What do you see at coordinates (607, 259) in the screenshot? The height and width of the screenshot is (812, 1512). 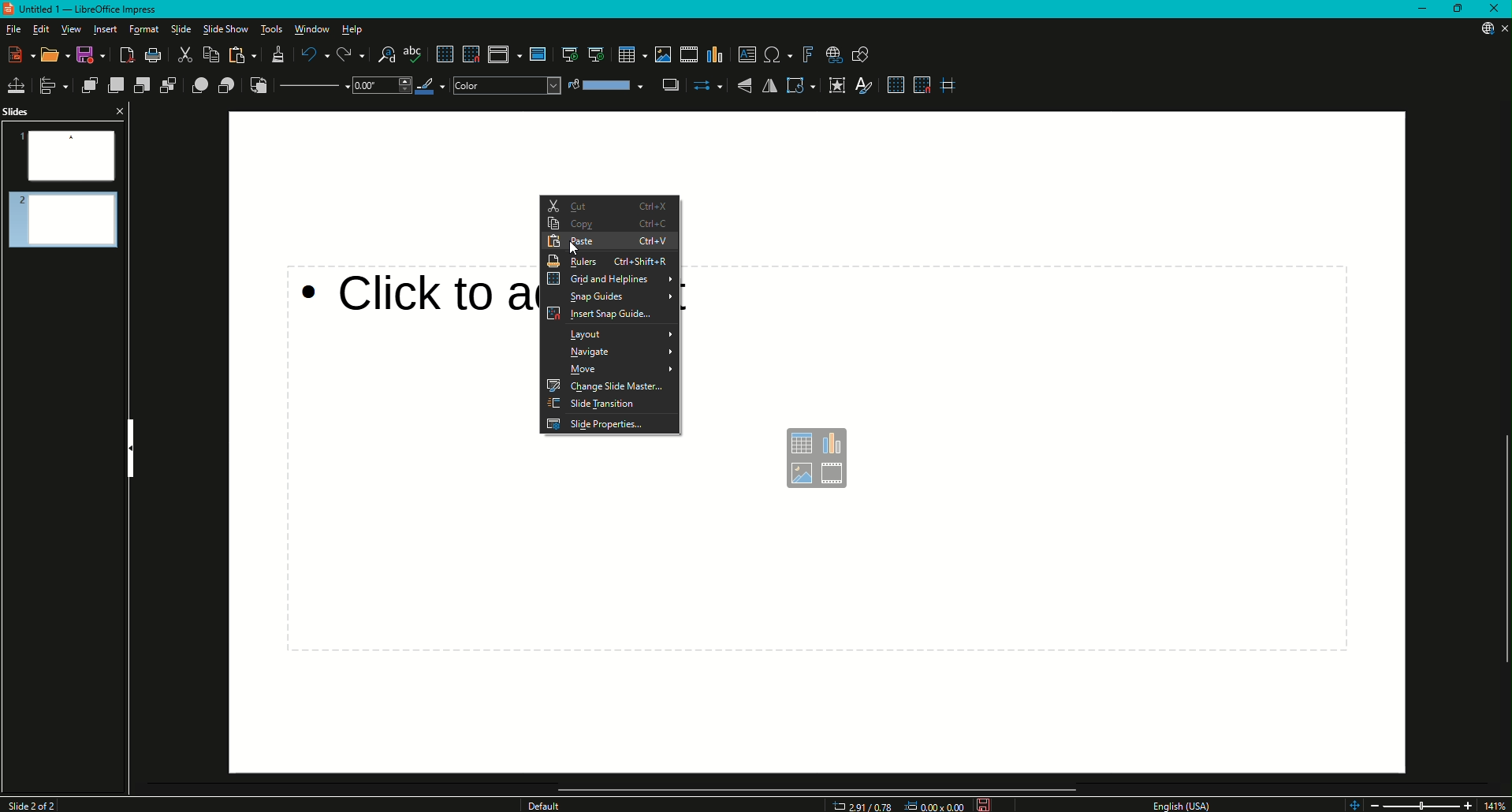 I see `Rulers` at bounding box center [607, 259].